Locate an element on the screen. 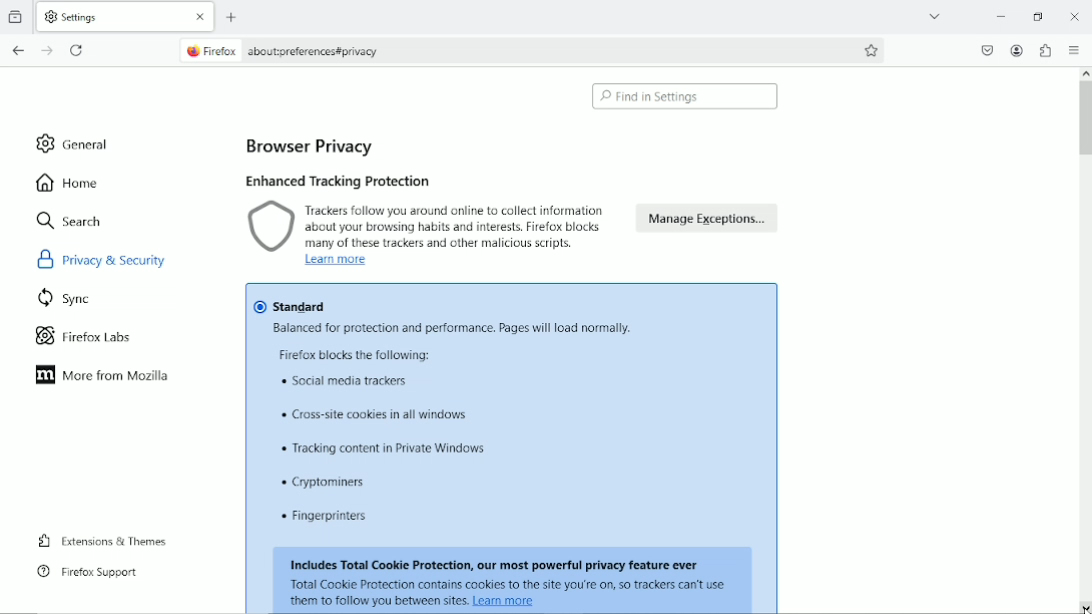 This screenshot has width=1092, height=614. site is located at coordinates (320, 50).